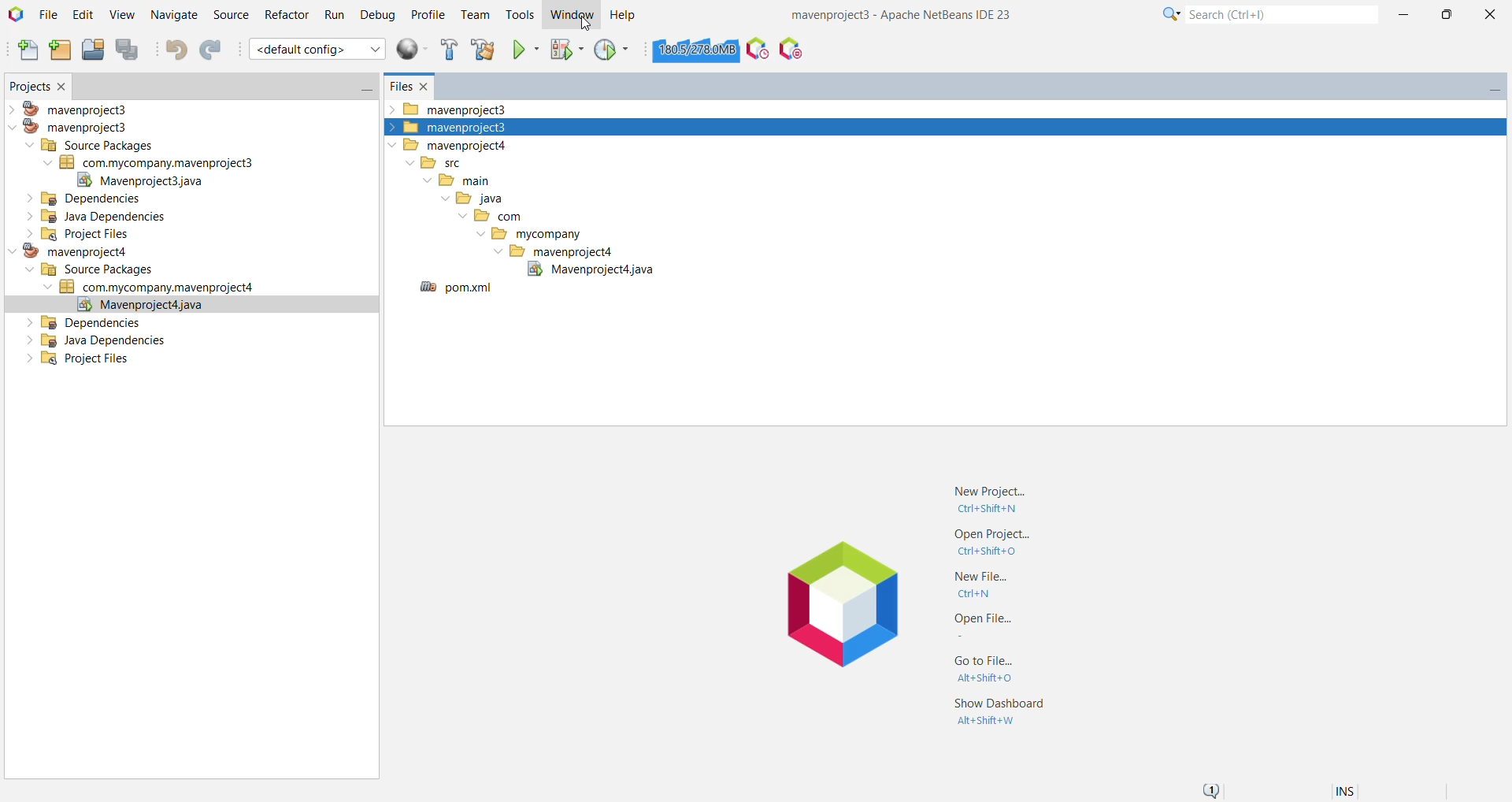 The image size is (1512, 802). Describe the element at coordinates (49, 15) in the screenshot. I see `File` at that location.